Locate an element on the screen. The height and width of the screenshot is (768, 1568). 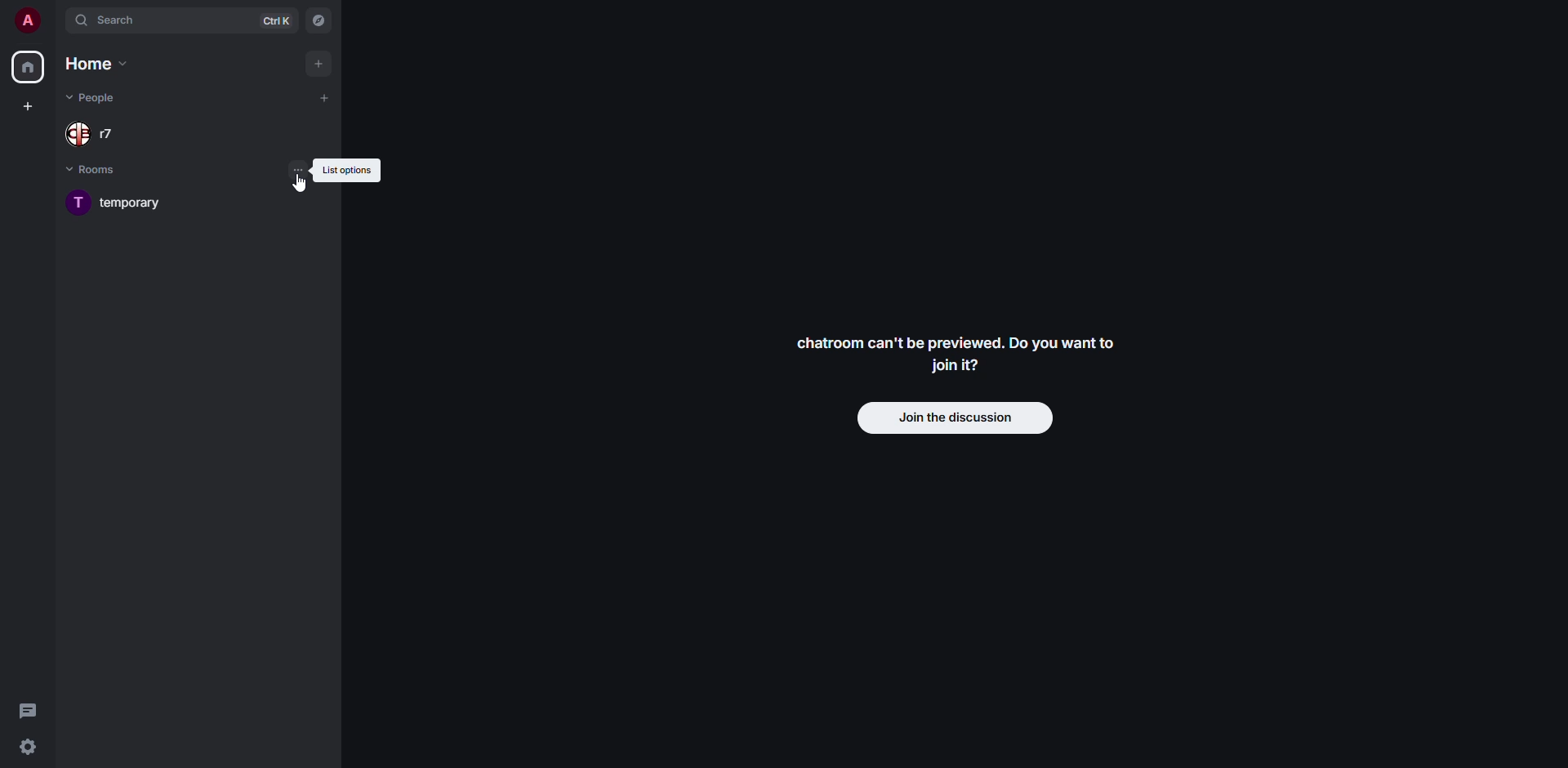
room is located at coordinates (122, 202).